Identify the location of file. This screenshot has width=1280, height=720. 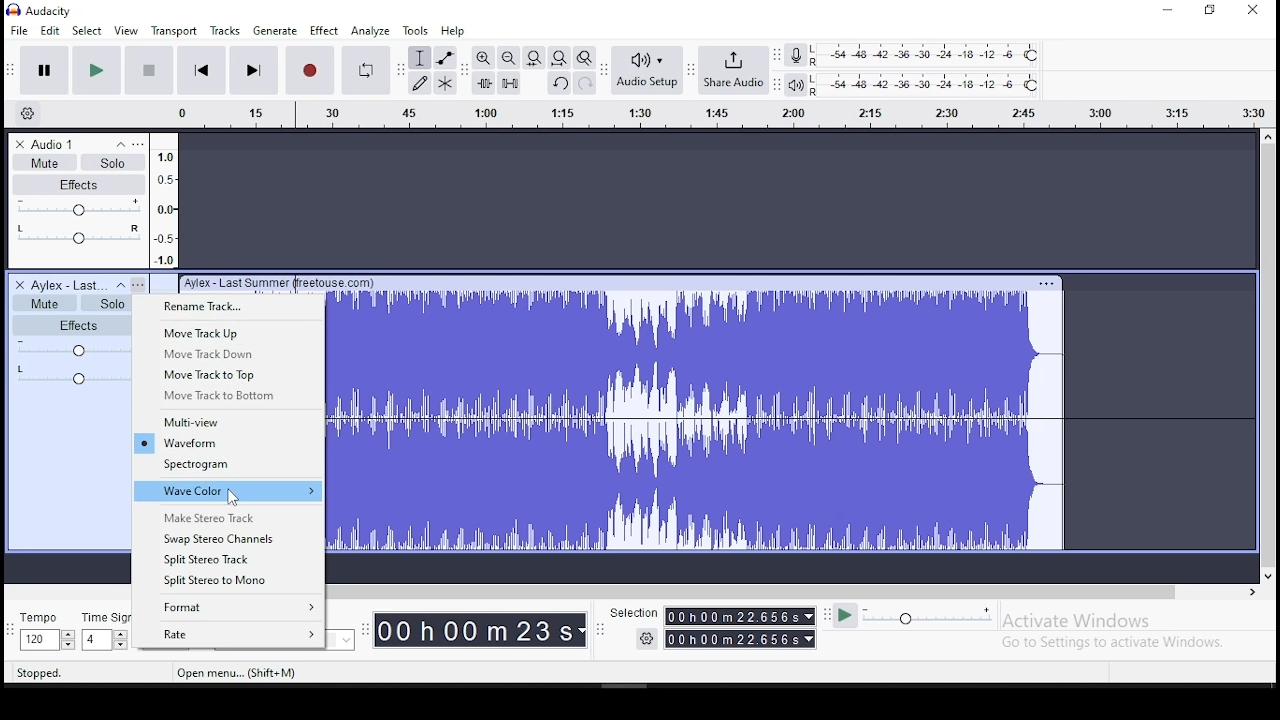
(21, 29).